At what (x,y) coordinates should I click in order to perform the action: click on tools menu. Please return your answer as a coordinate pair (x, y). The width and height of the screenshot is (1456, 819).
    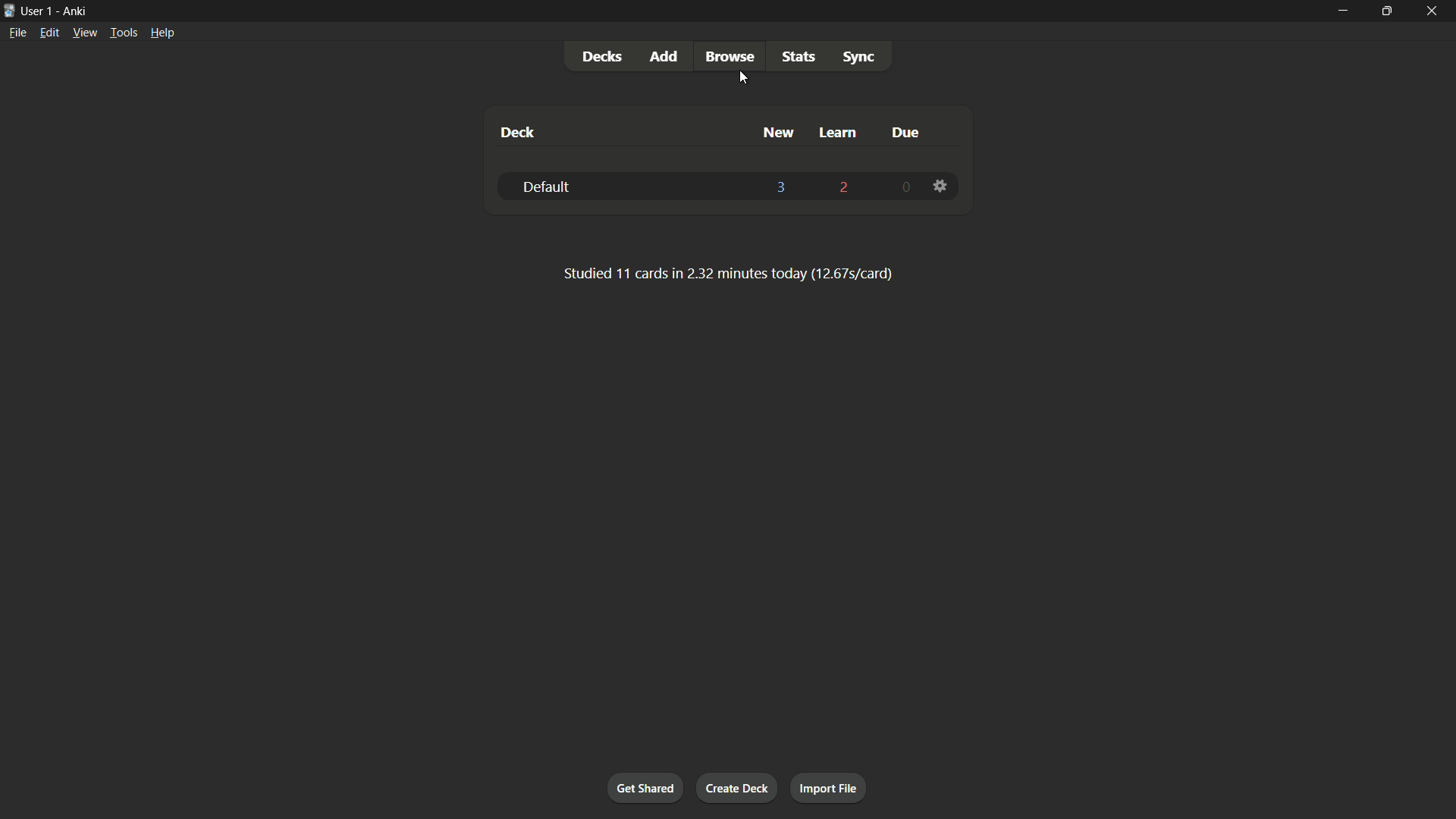
    Looking at the image, I should click on (124, 33).